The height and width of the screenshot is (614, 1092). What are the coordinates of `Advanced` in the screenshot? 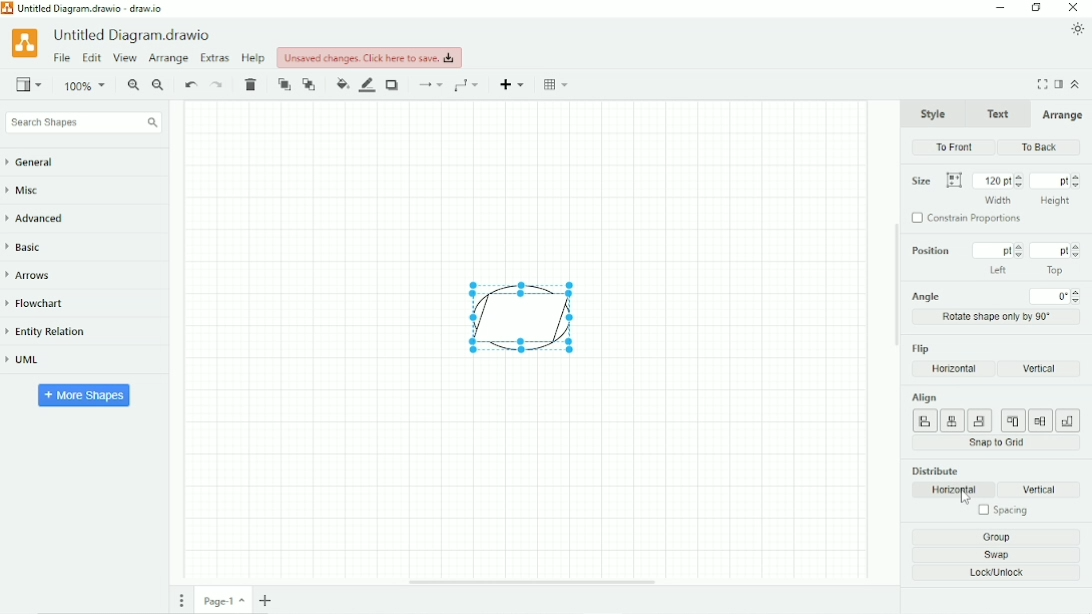 It's located at (42, 218).